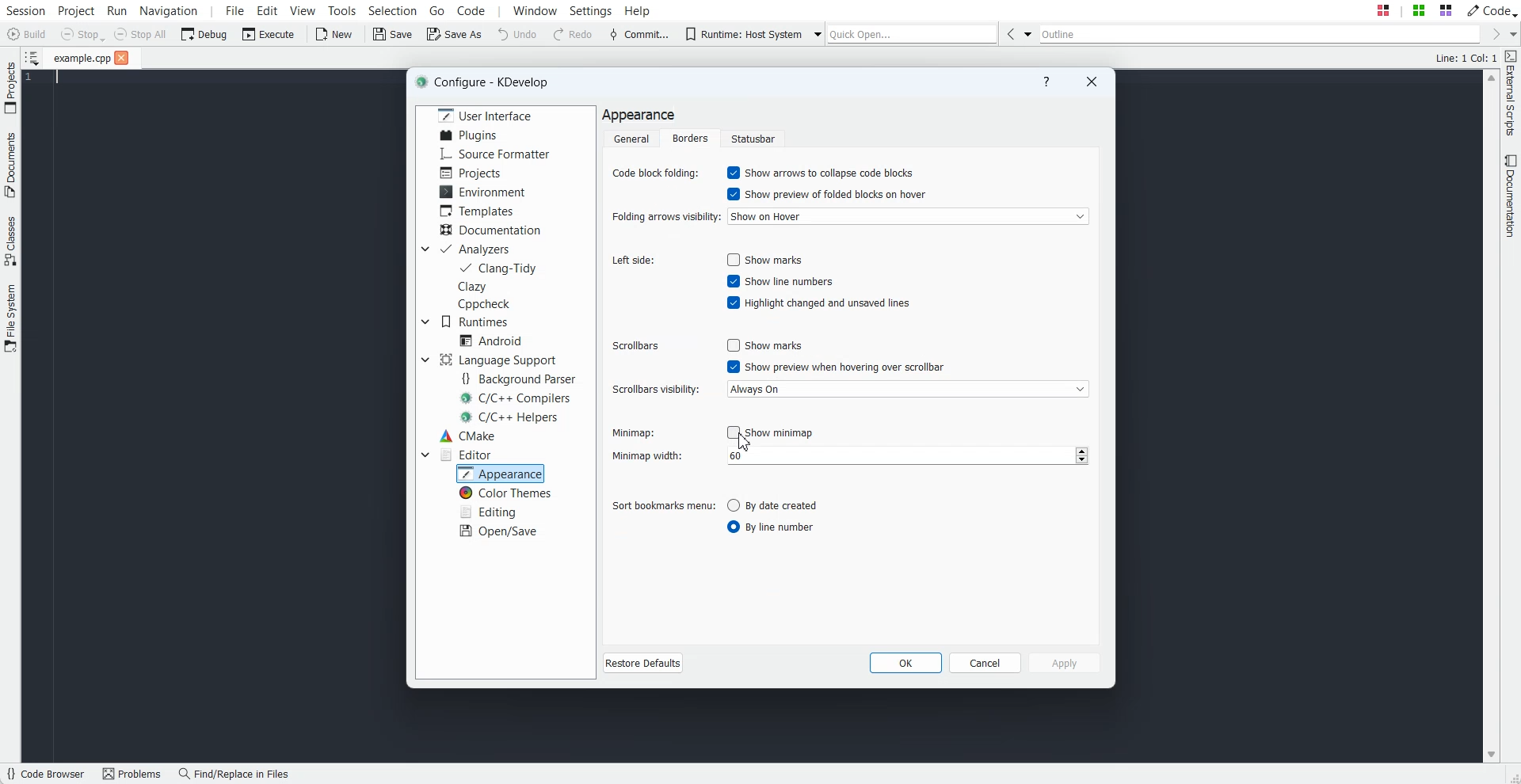 The height and width of the screenshot is (784, 1521). What do you see at coordinates (337, 34) in the screenshot?
I see `New` at bounding box center [337, 34].